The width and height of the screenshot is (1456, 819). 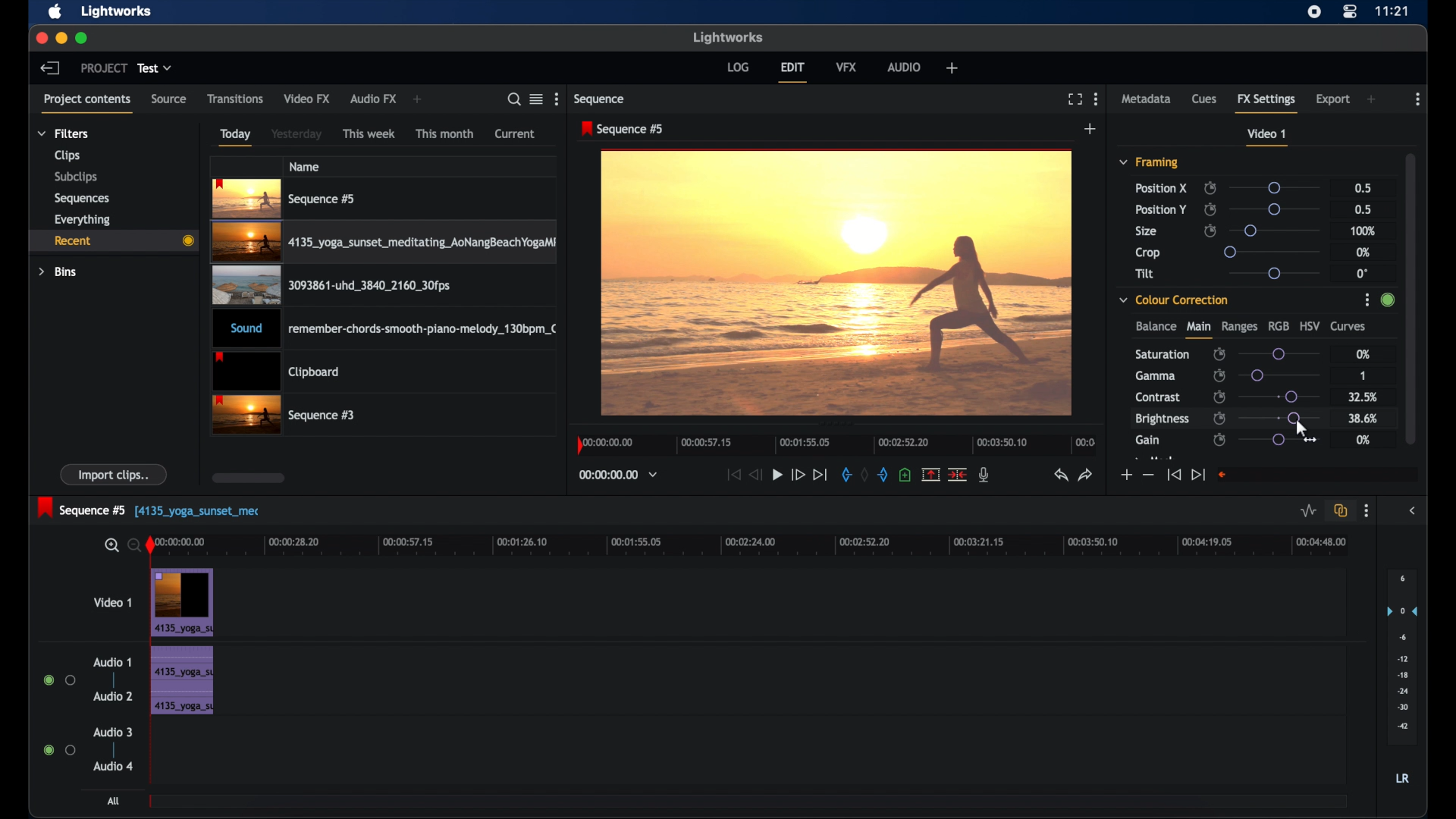 I want to click on slider, so click(x=1277, y=230).